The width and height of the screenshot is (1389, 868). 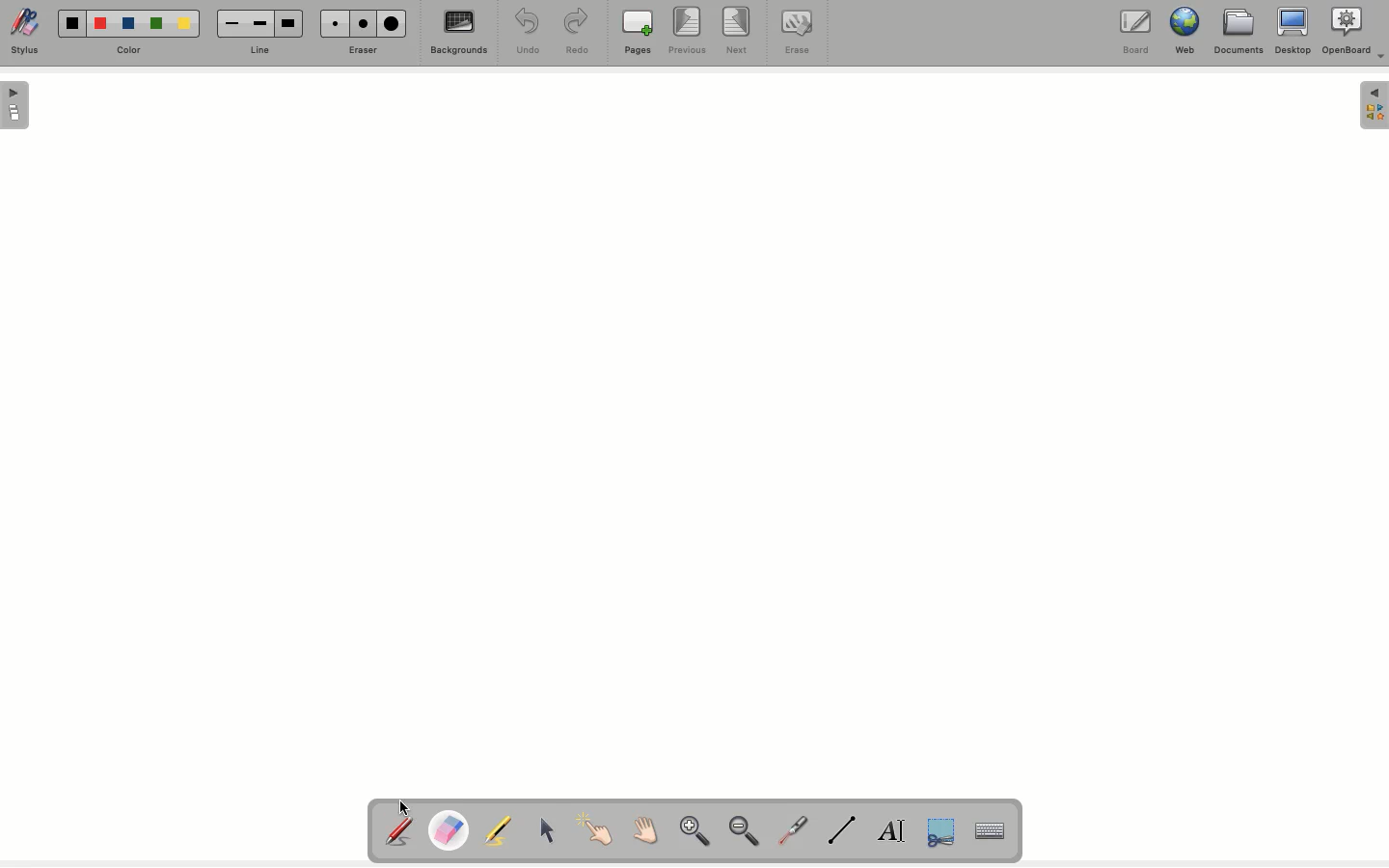 What do you see at coordinates (640, 33) in the screenshot?
I see `Pages` at bounding box center [640, 33].